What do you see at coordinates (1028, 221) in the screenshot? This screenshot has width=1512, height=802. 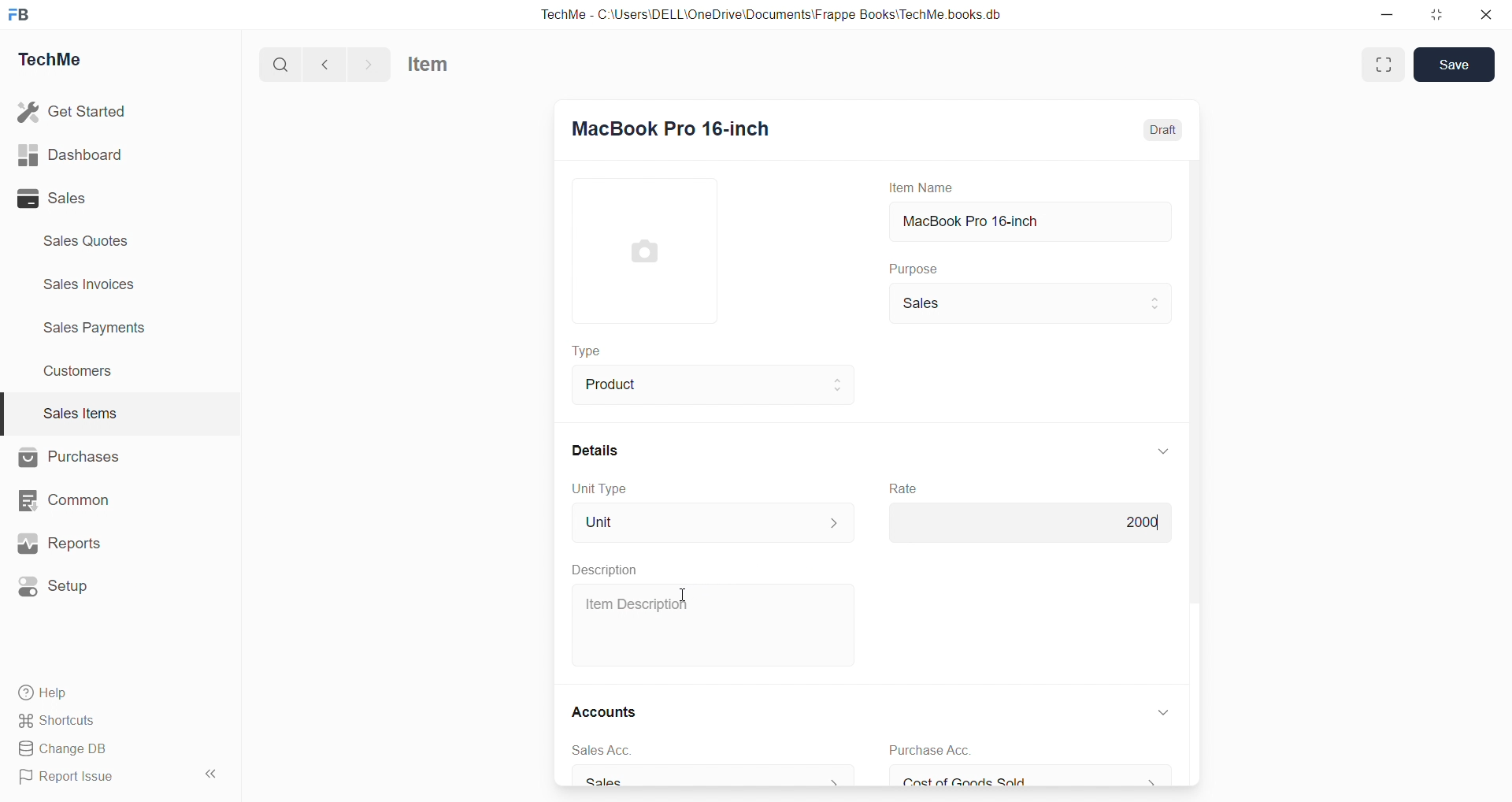 I see `MacBook Pro 16-inch` at bounding box center [1028, 221].